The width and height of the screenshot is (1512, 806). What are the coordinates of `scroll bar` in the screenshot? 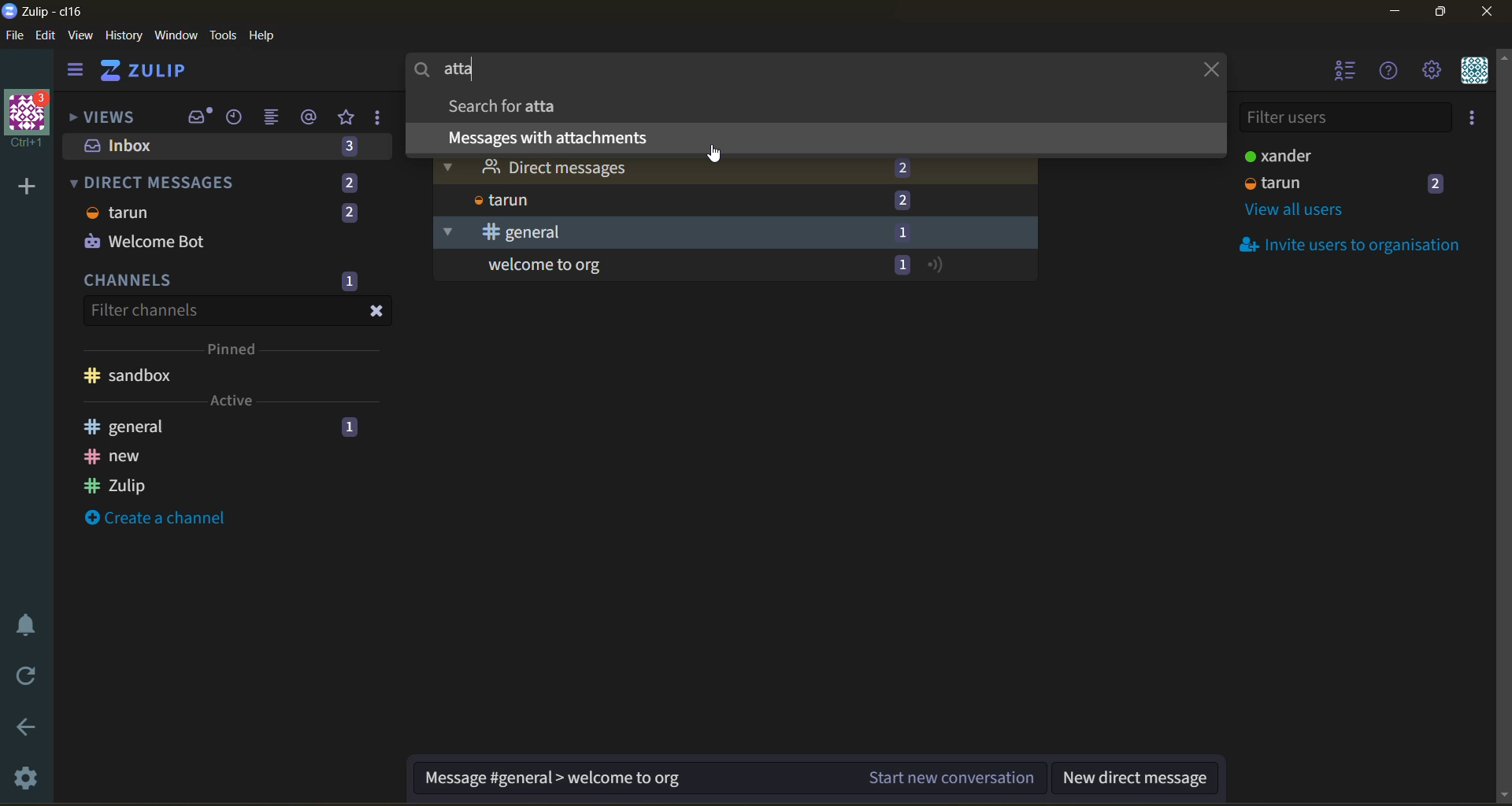 It's located at (1503, 427).